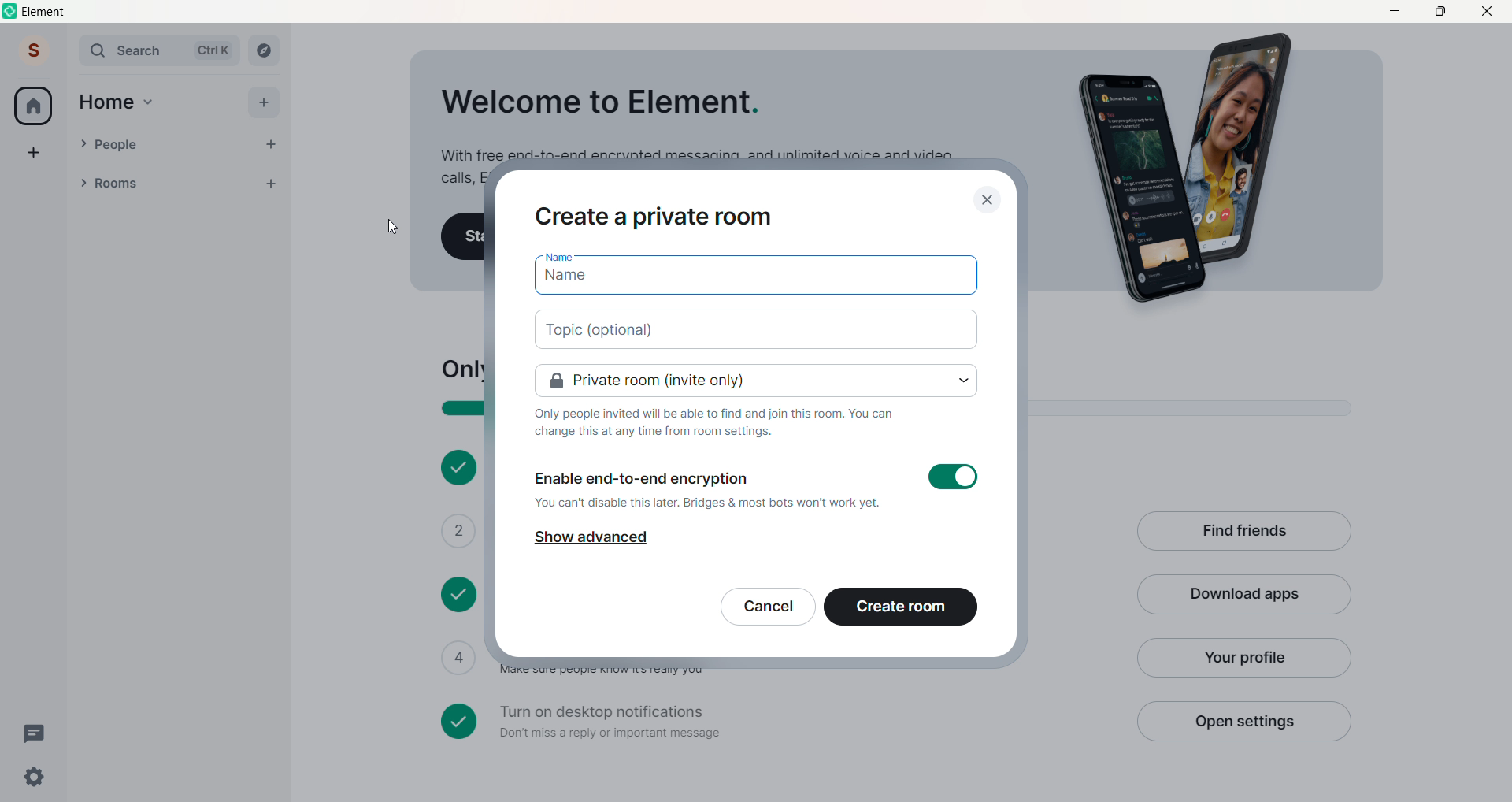  What do you see at coordinates (1194, 169) in the screenshot?
I see `Graphics Image` at bounding box center [1194, 169].